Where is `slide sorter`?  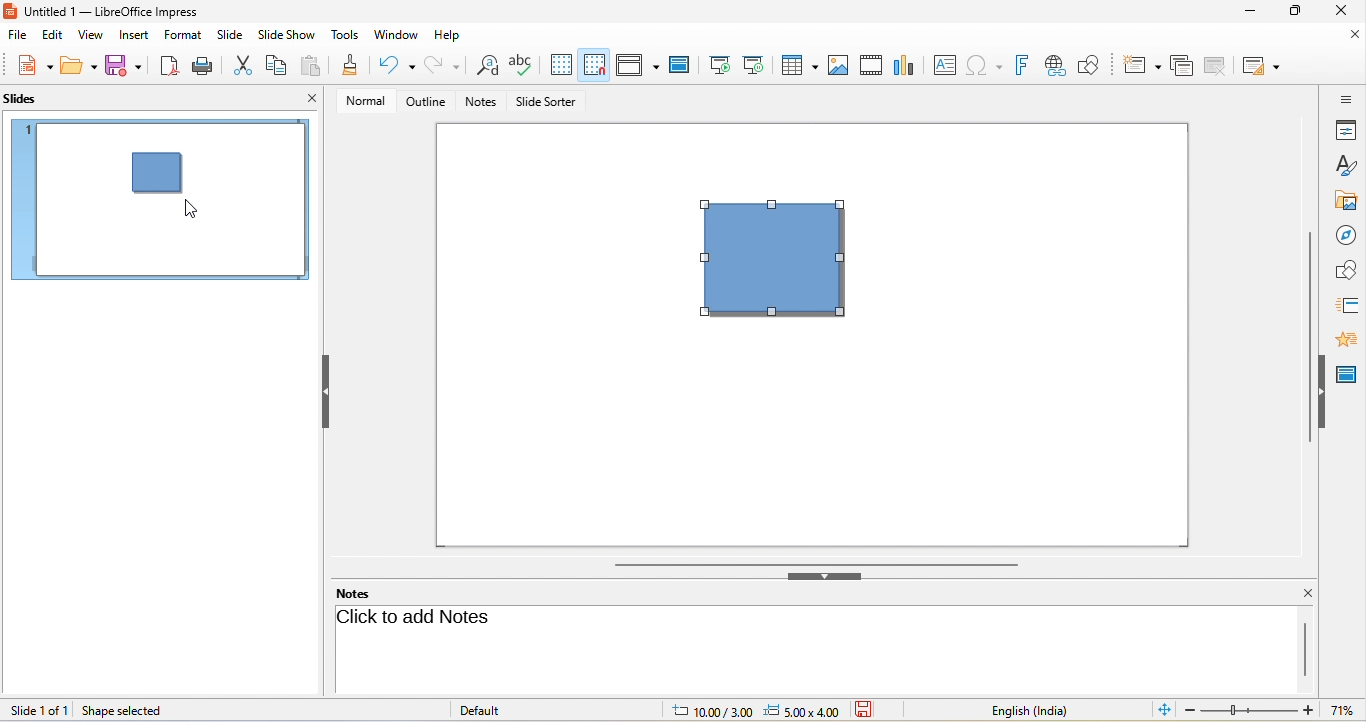 slide sorter is located at coordinates (549, 102).